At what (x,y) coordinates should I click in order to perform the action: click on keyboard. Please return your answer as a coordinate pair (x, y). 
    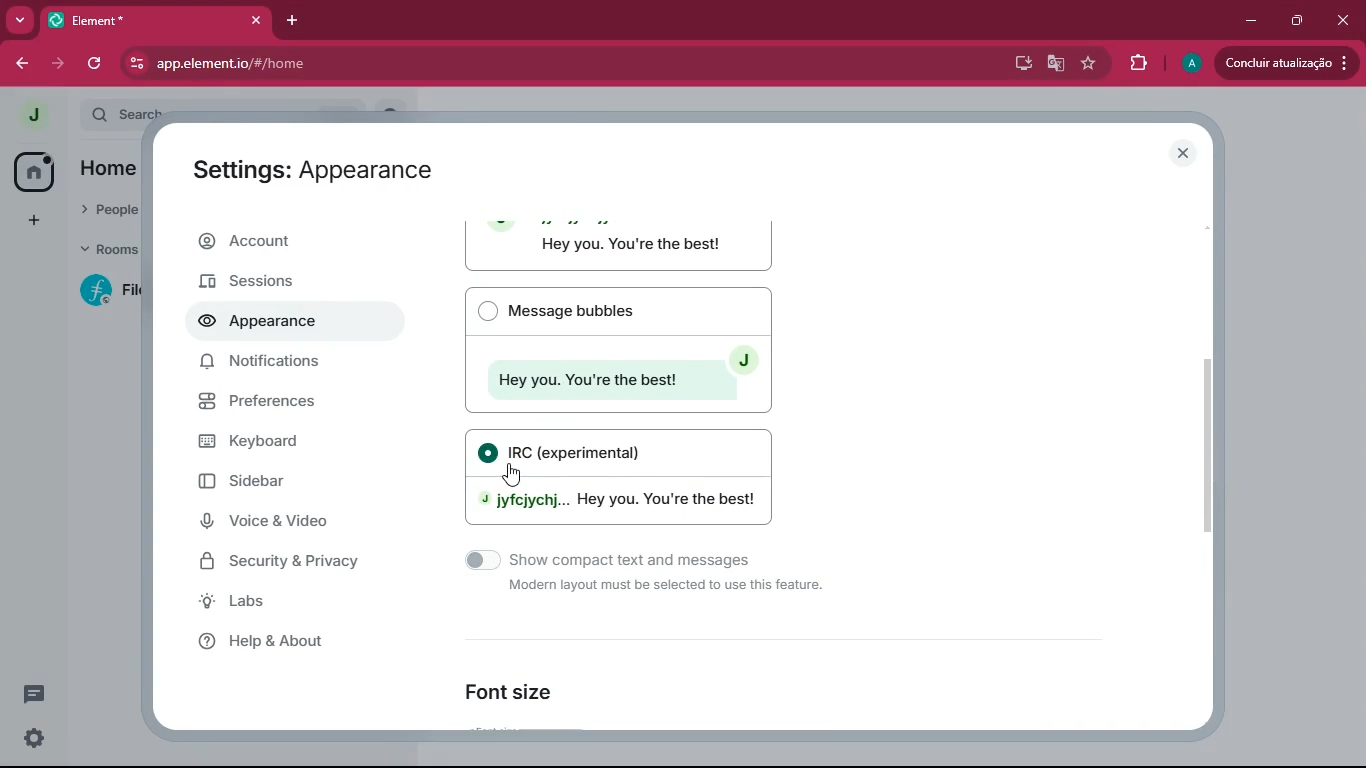
    Looking at the image, I should click on (283, 443).